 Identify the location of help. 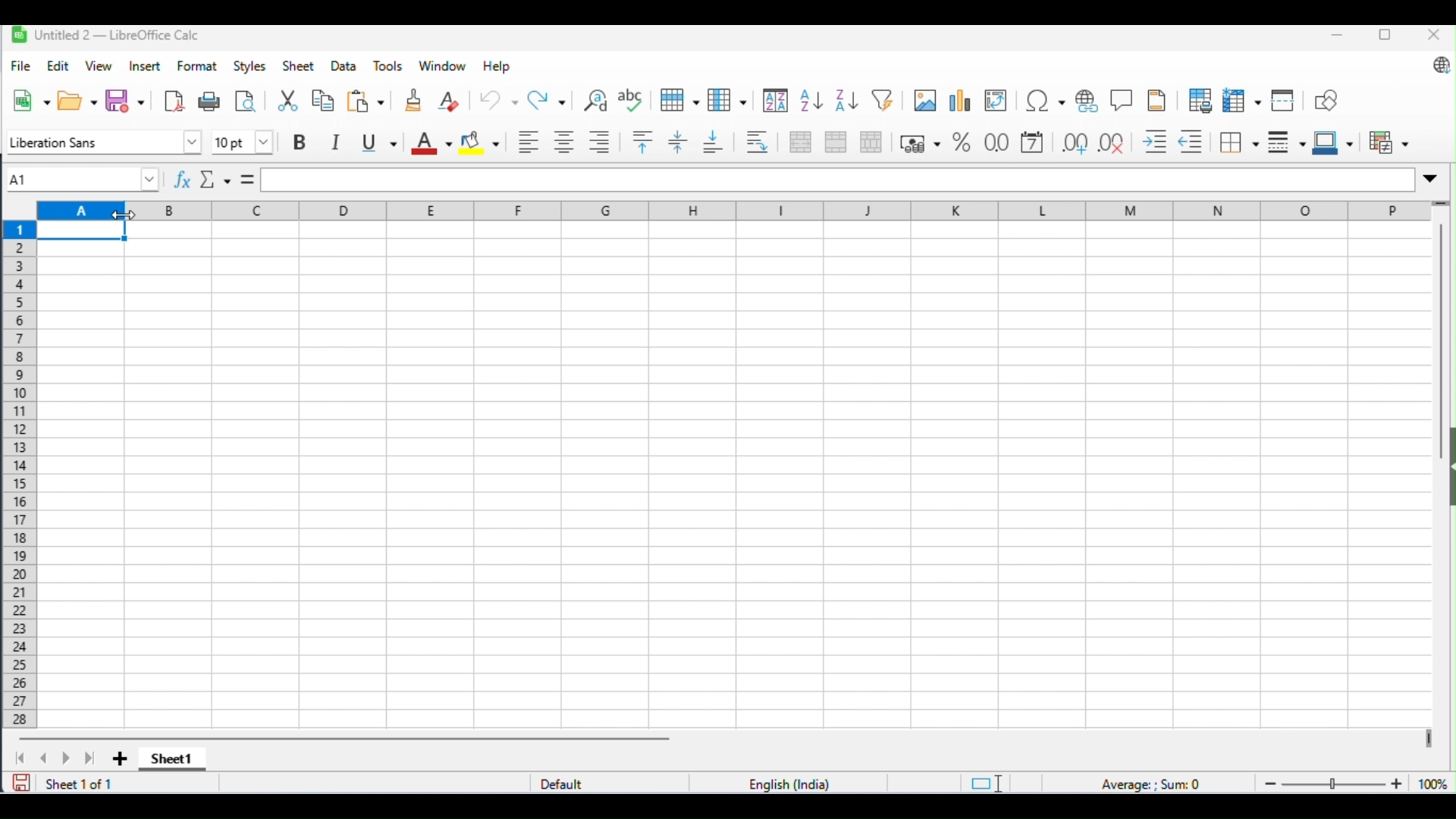
(497, 67).